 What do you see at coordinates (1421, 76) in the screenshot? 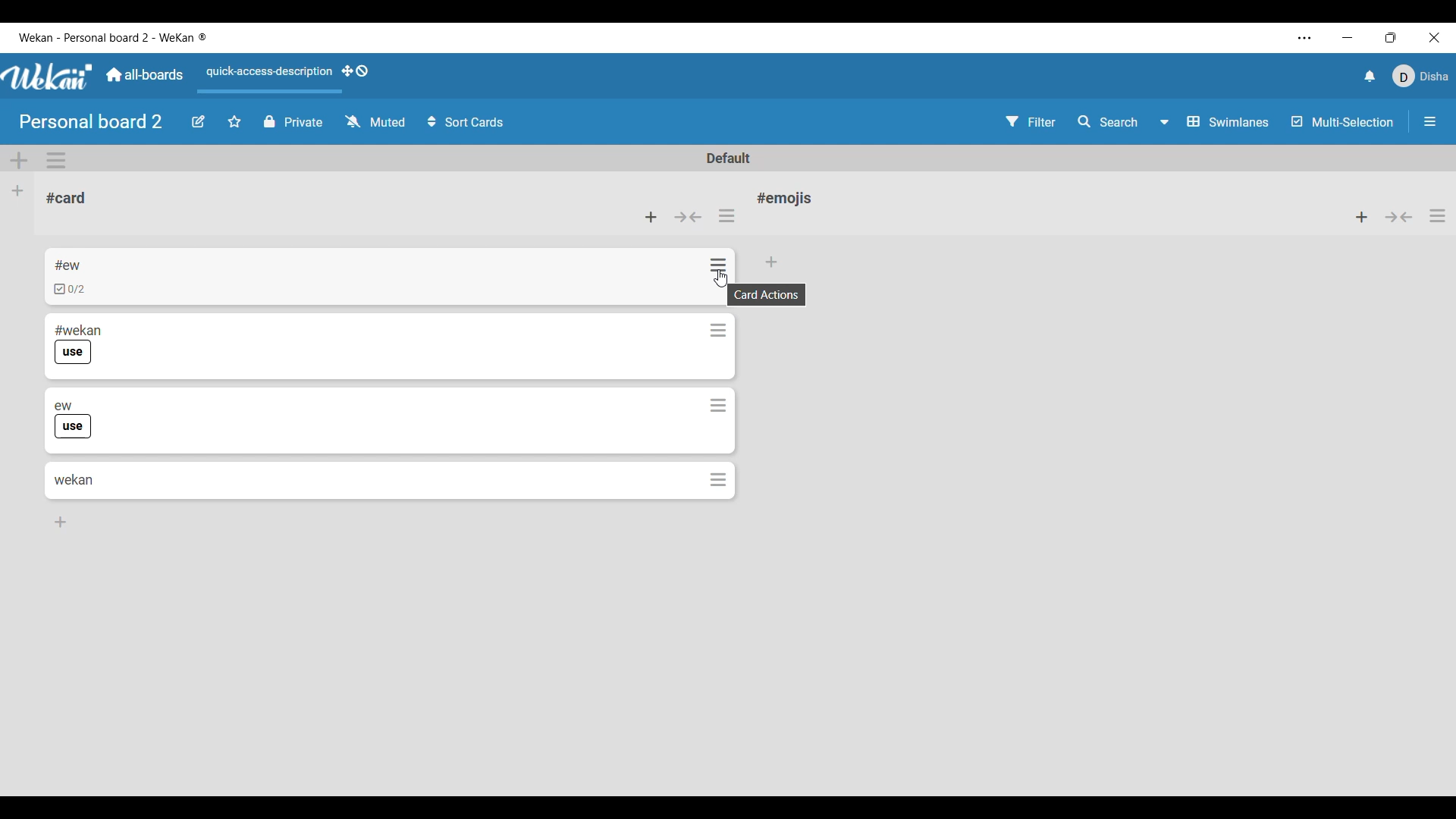
I see `Current account` at bounding box center [1421, 76].